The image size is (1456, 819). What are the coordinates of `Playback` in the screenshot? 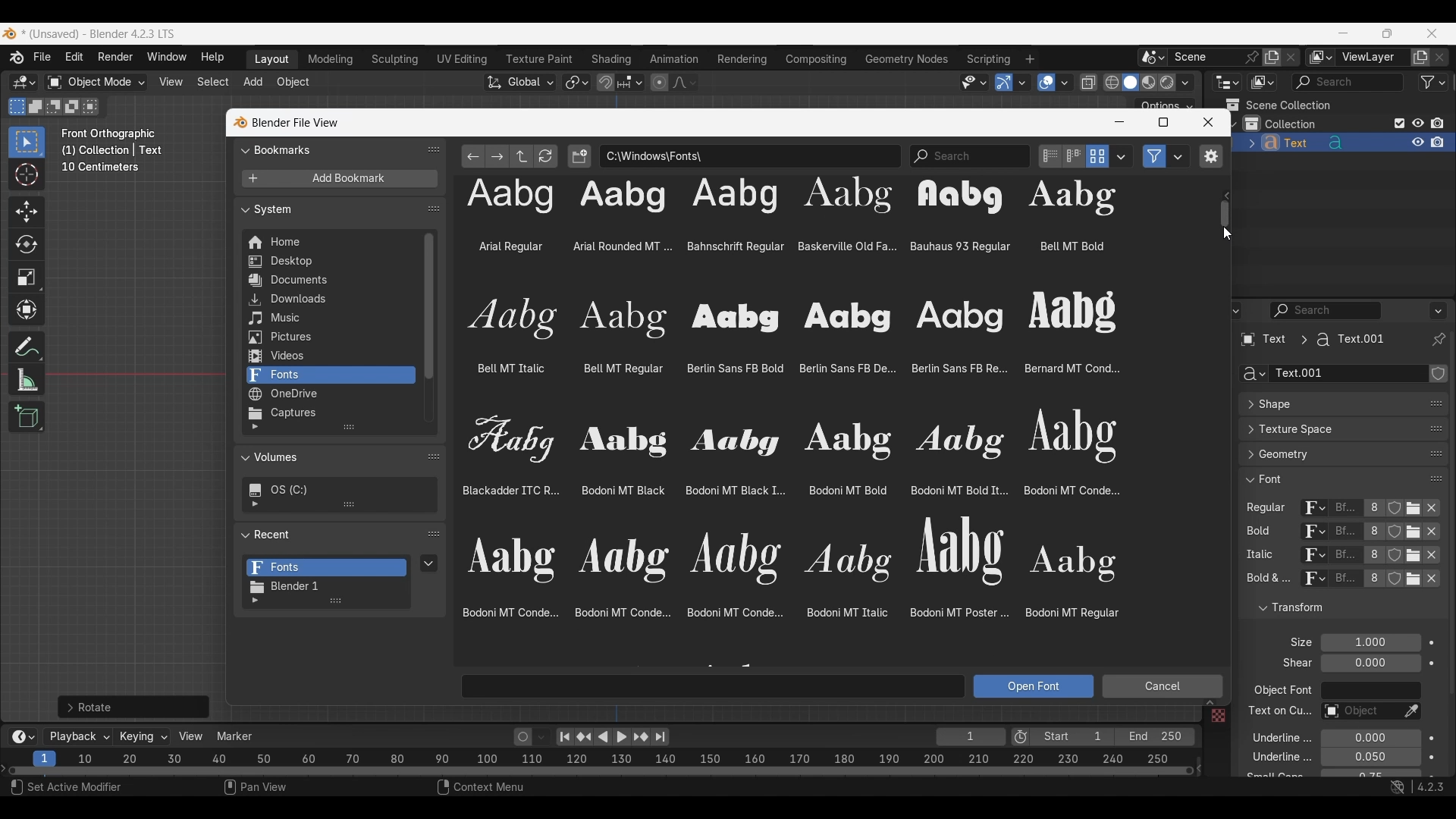 It's located at (79, 737).